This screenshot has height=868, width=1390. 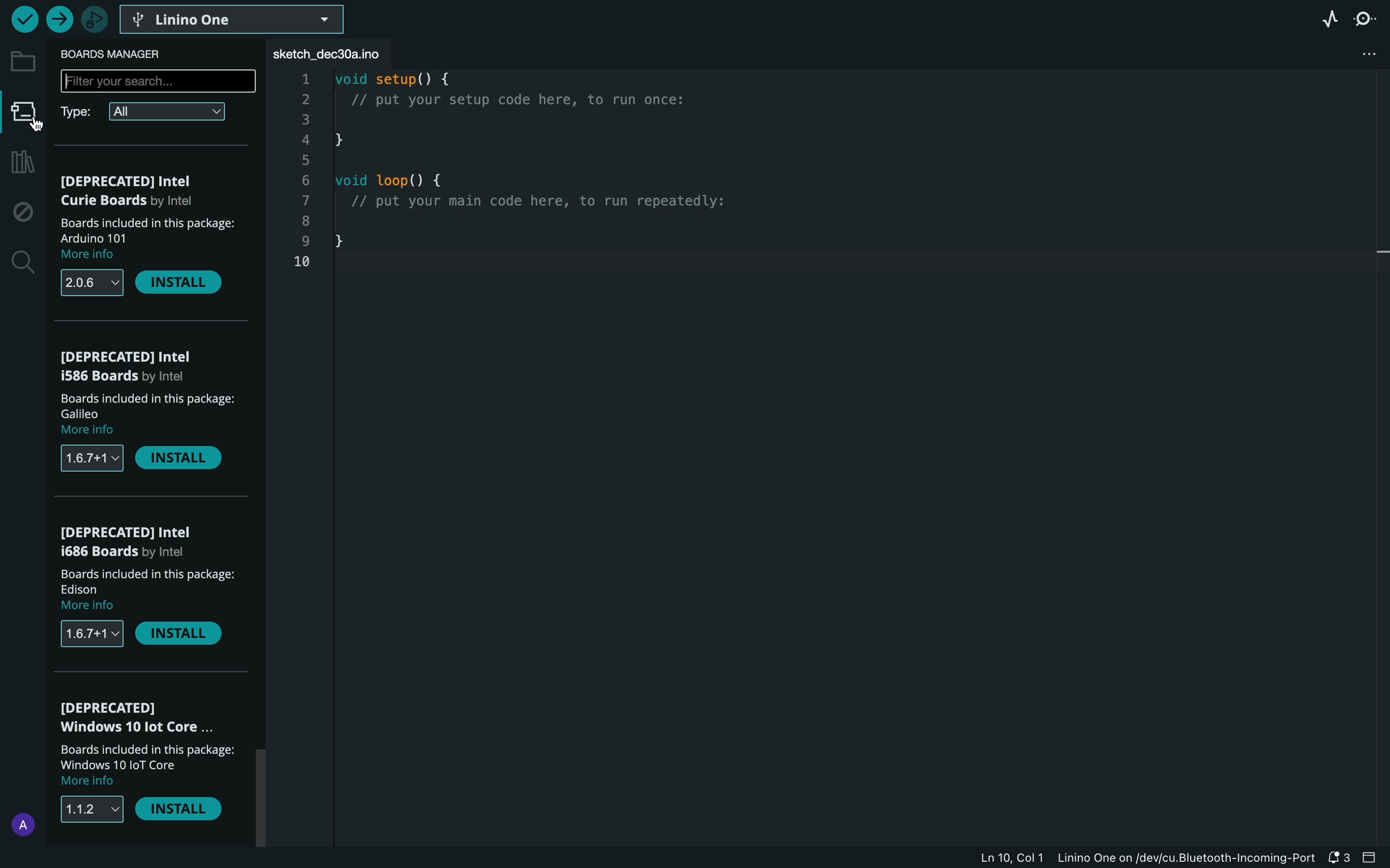 What do you see at coordinates (25, 125) in the screenshot?
I see `cursor` at bounding box center [25, 125].